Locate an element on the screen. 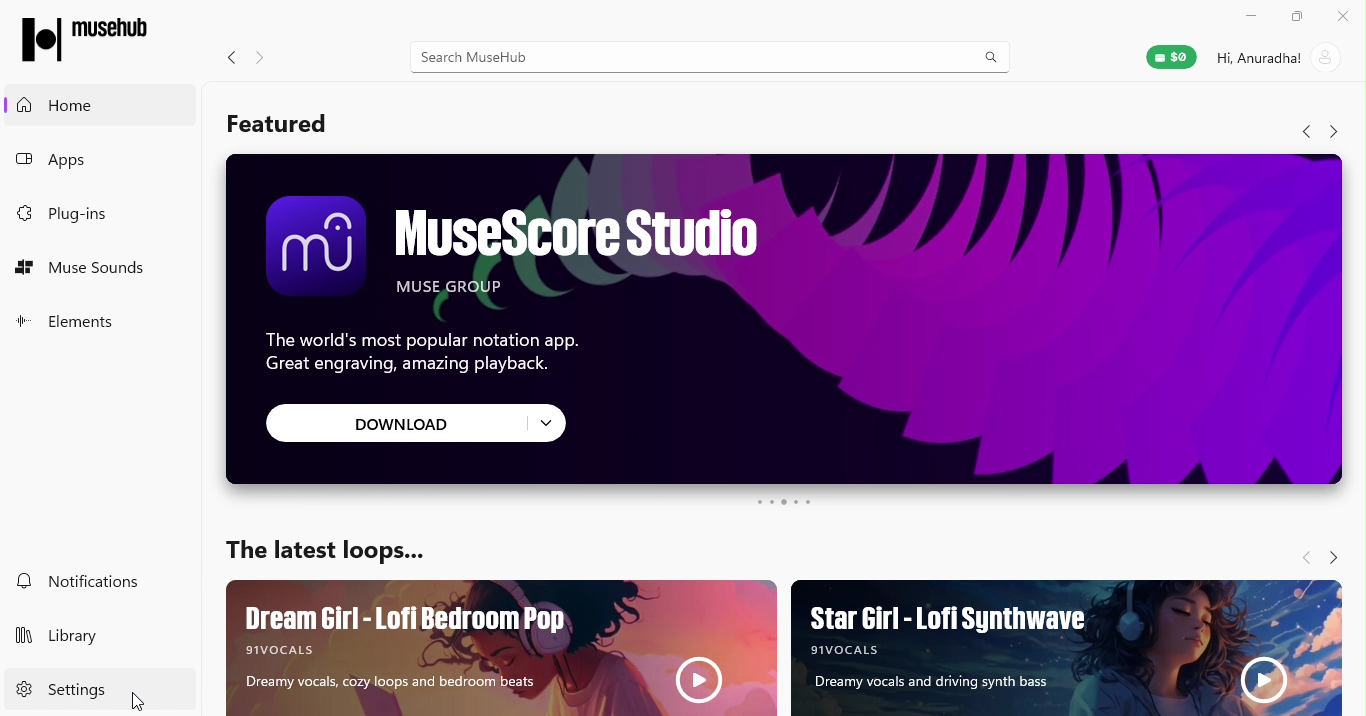 Image resolution: width=1366 pixels, height=716 pixels. Dream girl- Lofi bedroom pop Ad is located at coordinates (489, 646).